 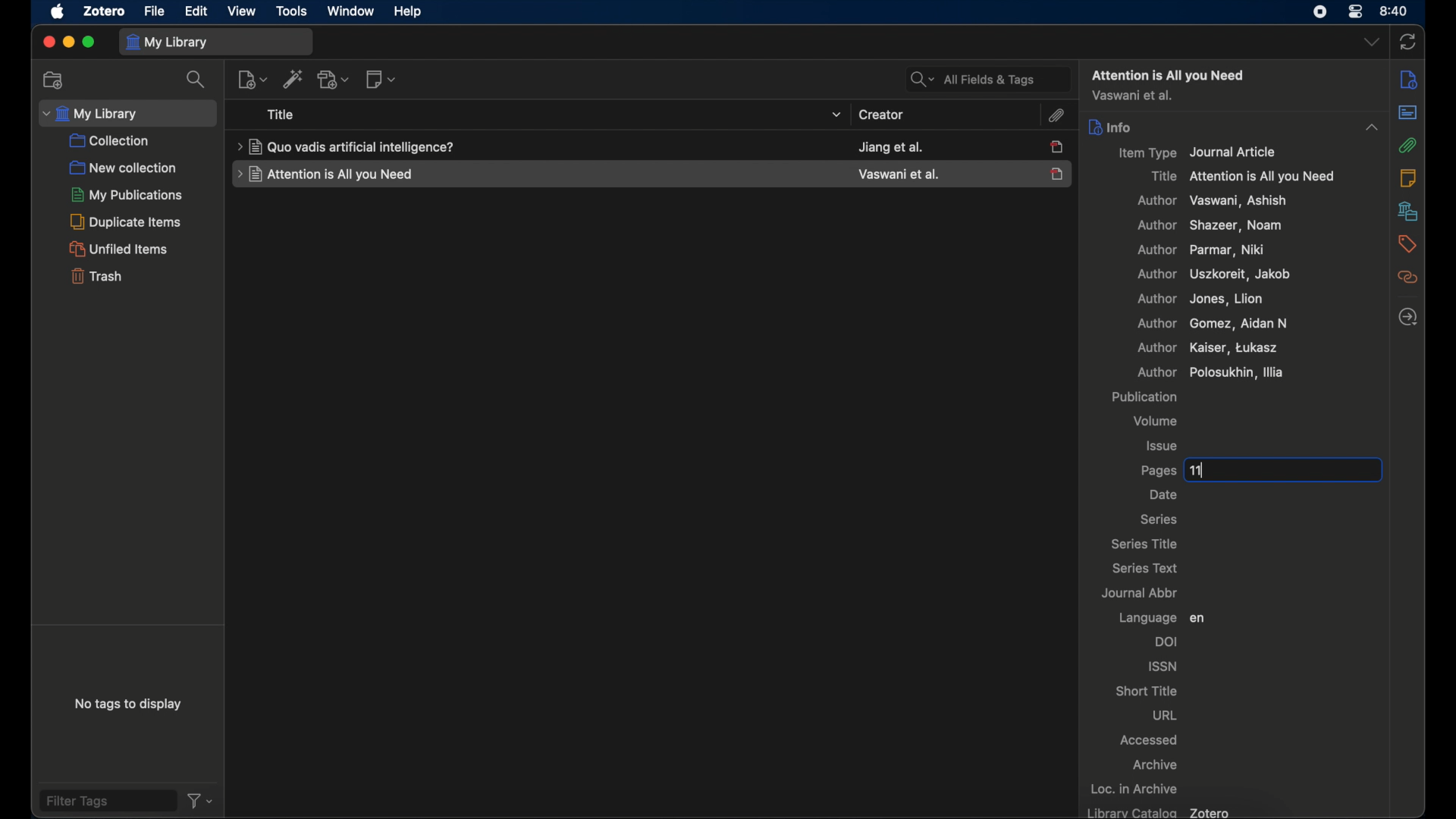 I want to click on collection, so click(x=111, y=141).